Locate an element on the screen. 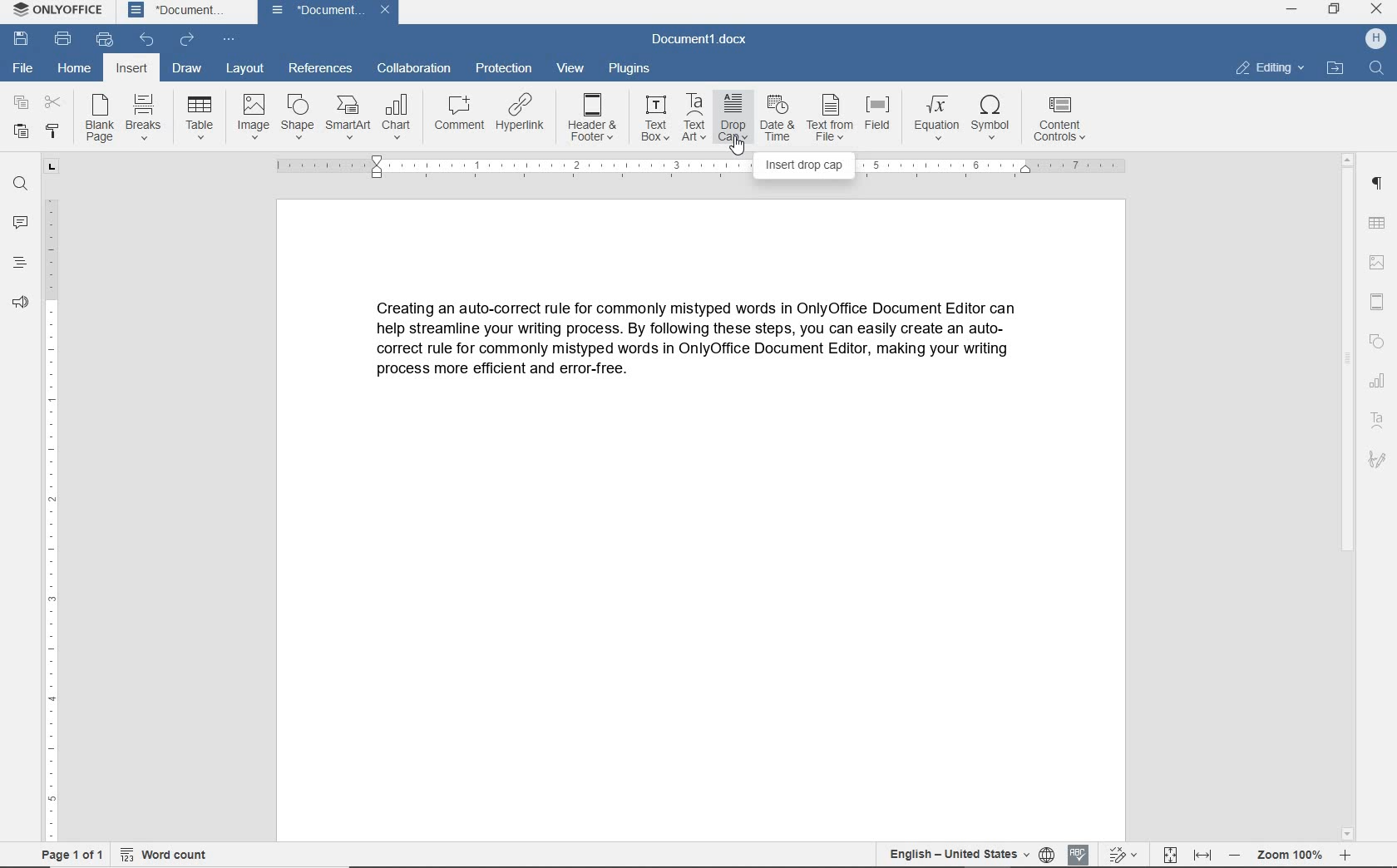 This screenshot has height=868, width=1397. find is located at coordinates (1376, 69).